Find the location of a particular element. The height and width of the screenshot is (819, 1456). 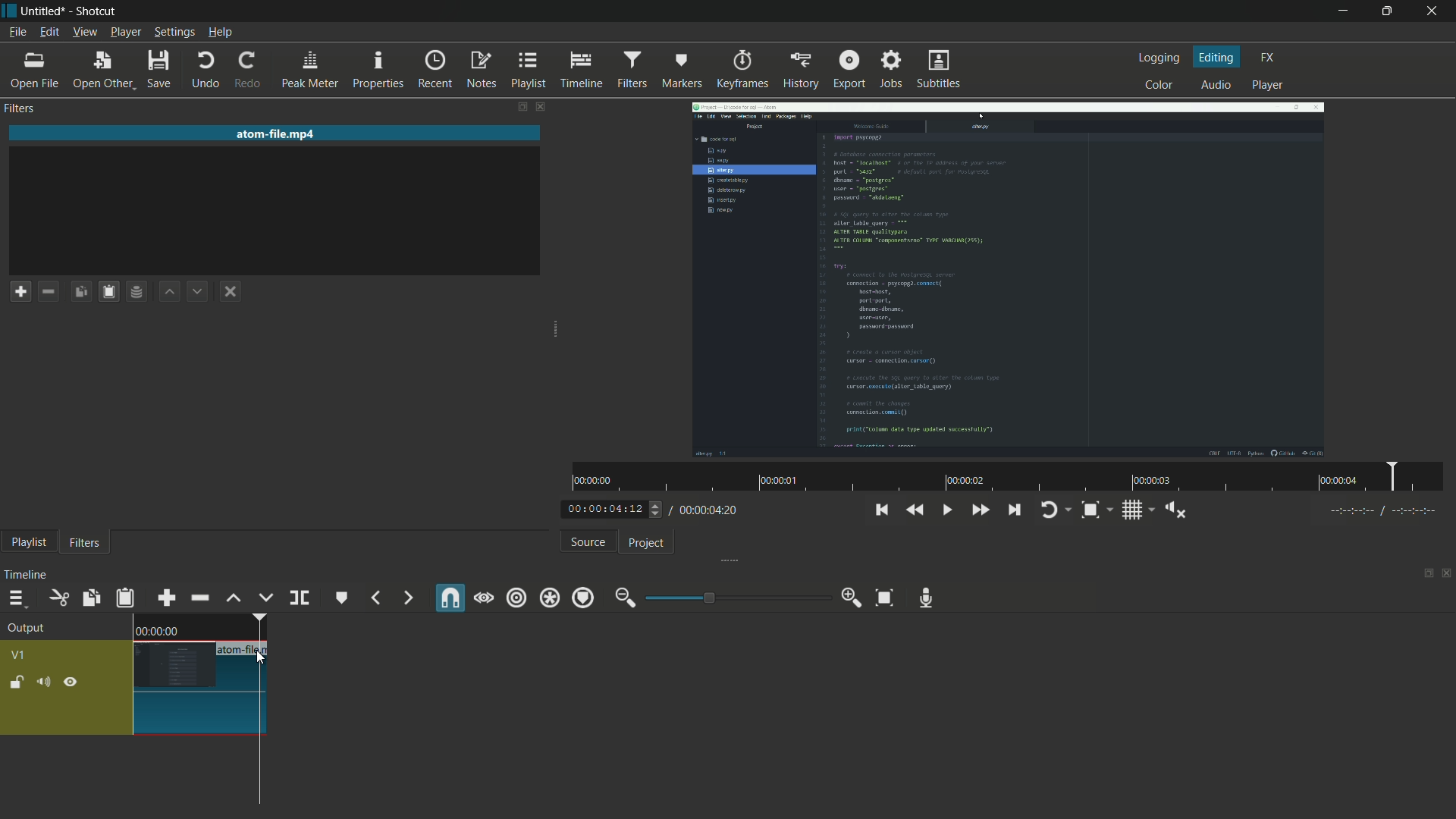

playlist is located at coordinates (27, 542).